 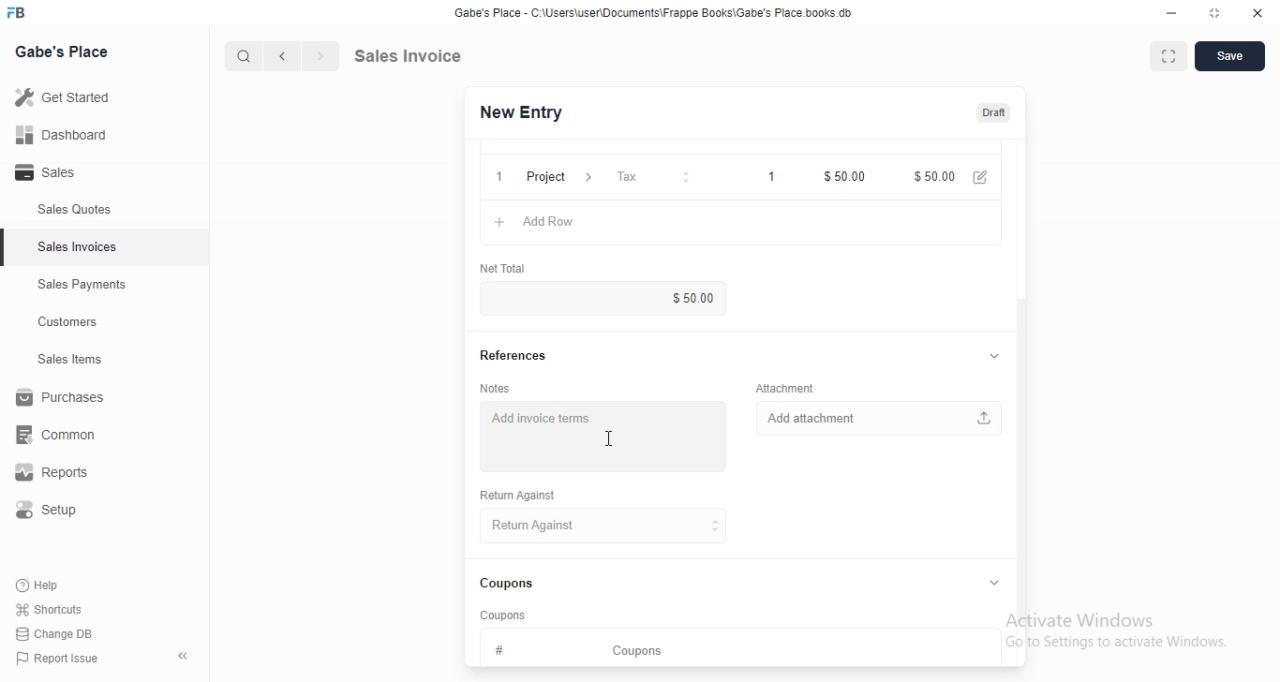 What do you see at coordinates (1216, 15) in the screenshot?
I see `maximize` at bounding box center [1216, 15].